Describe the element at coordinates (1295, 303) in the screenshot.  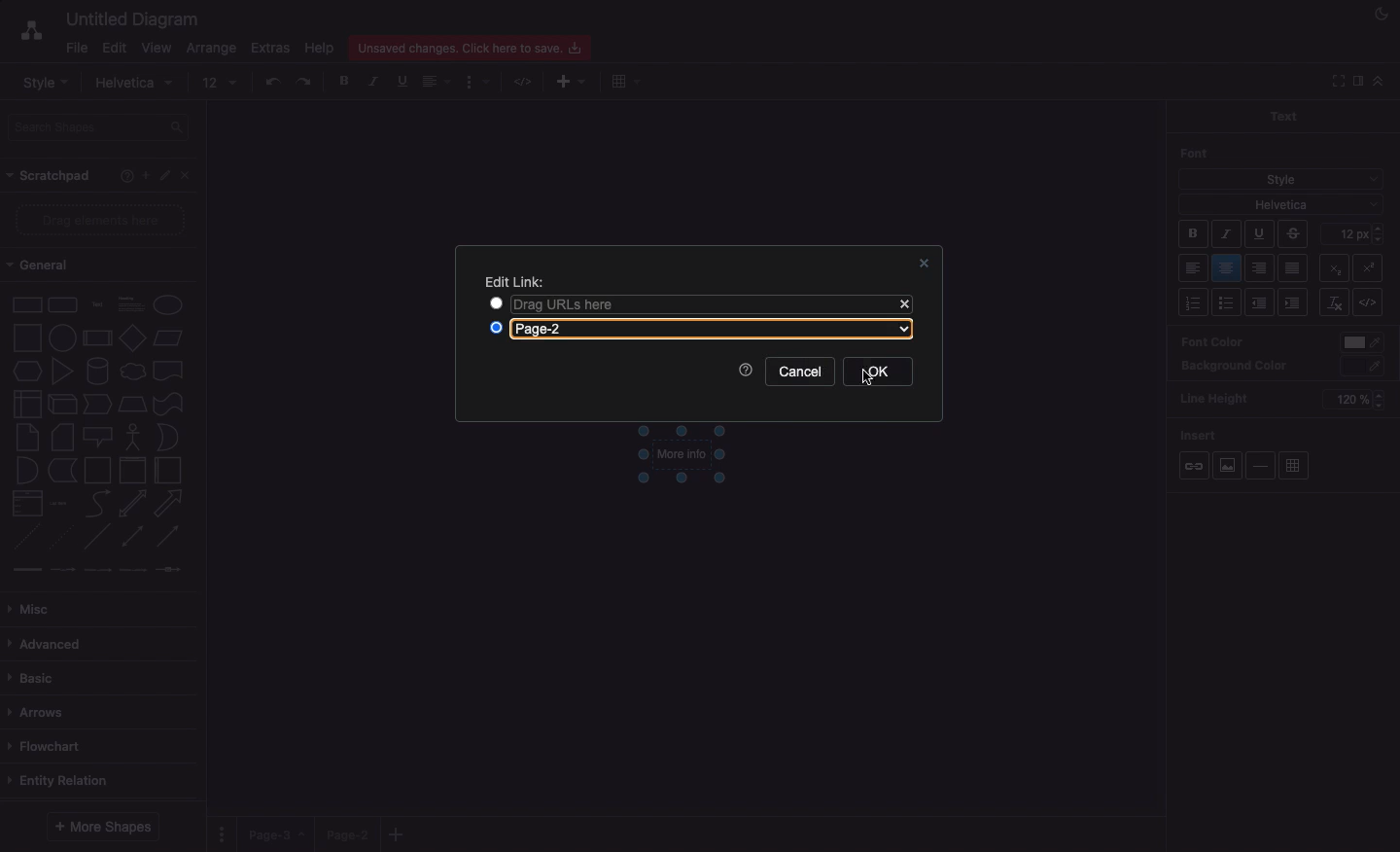
I see `Indent` at that location.